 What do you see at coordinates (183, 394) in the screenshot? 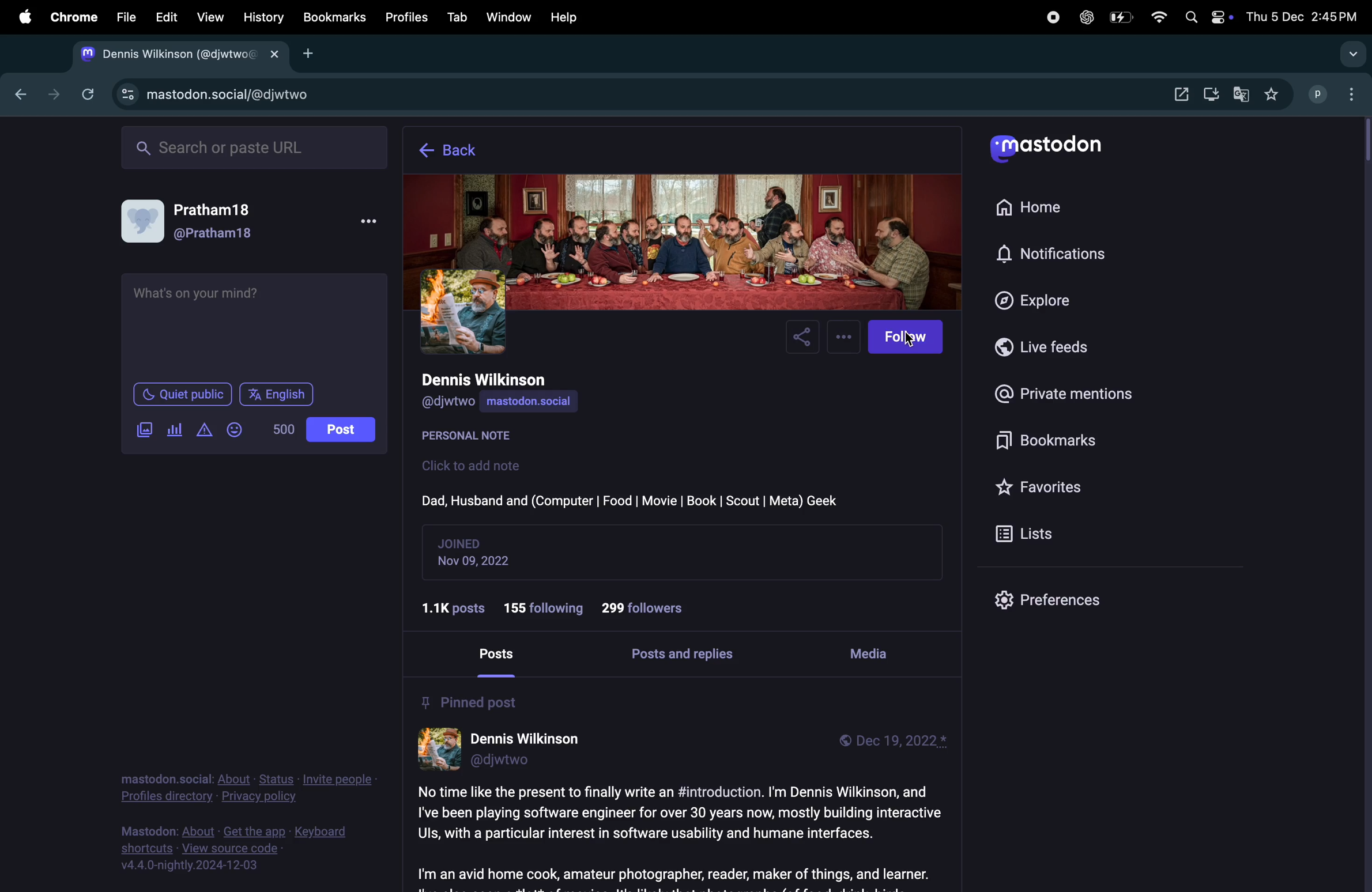
I see `Quiet public` at bounding box center [183, 394].